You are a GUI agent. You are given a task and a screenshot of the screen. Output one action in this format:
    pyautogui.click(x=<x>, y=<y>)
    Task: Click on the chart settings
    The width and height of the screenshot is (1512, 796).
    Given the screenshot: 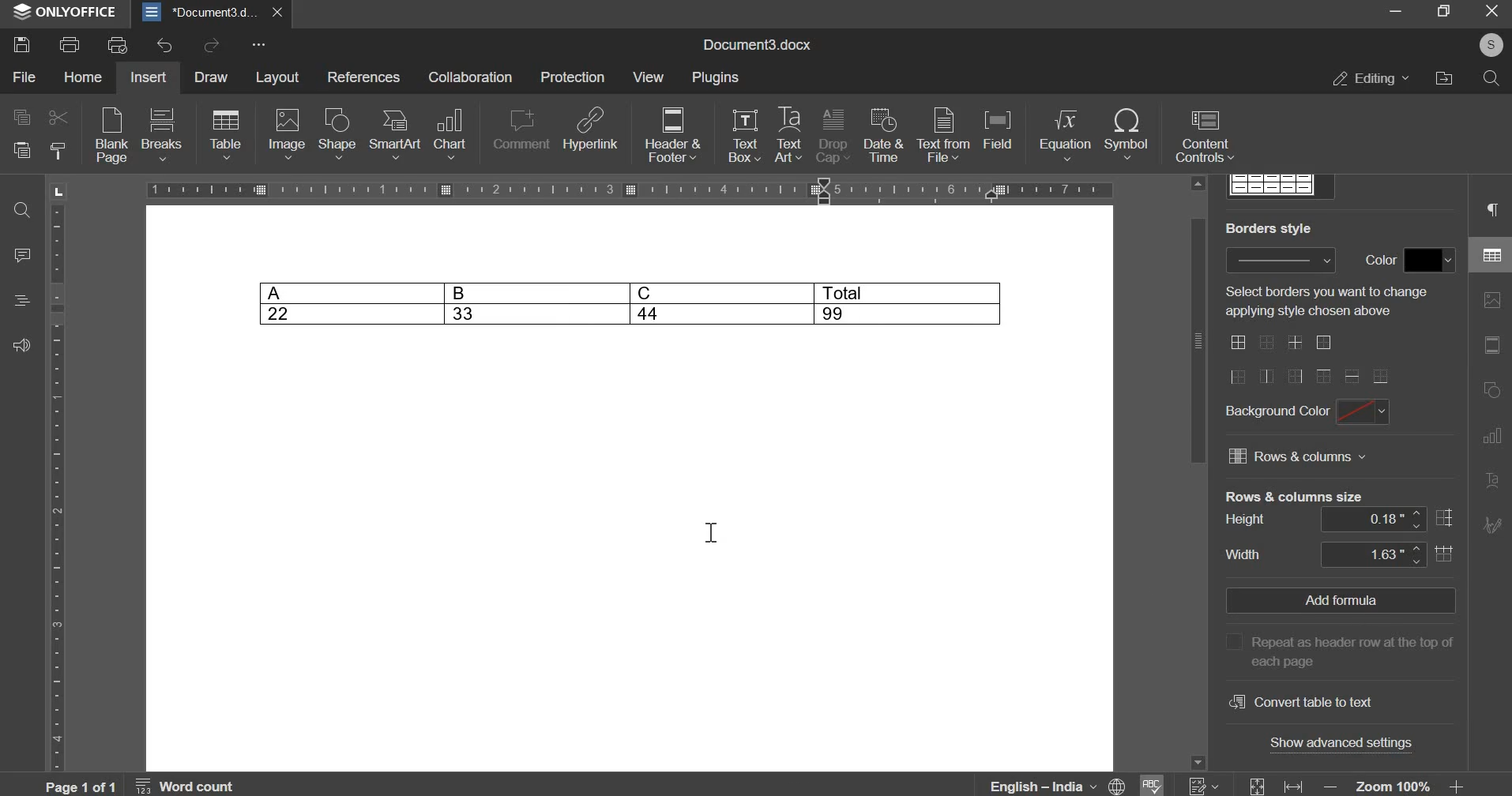 What is the action you would take?
    pyautogui.click(x=1491, y=436)
    